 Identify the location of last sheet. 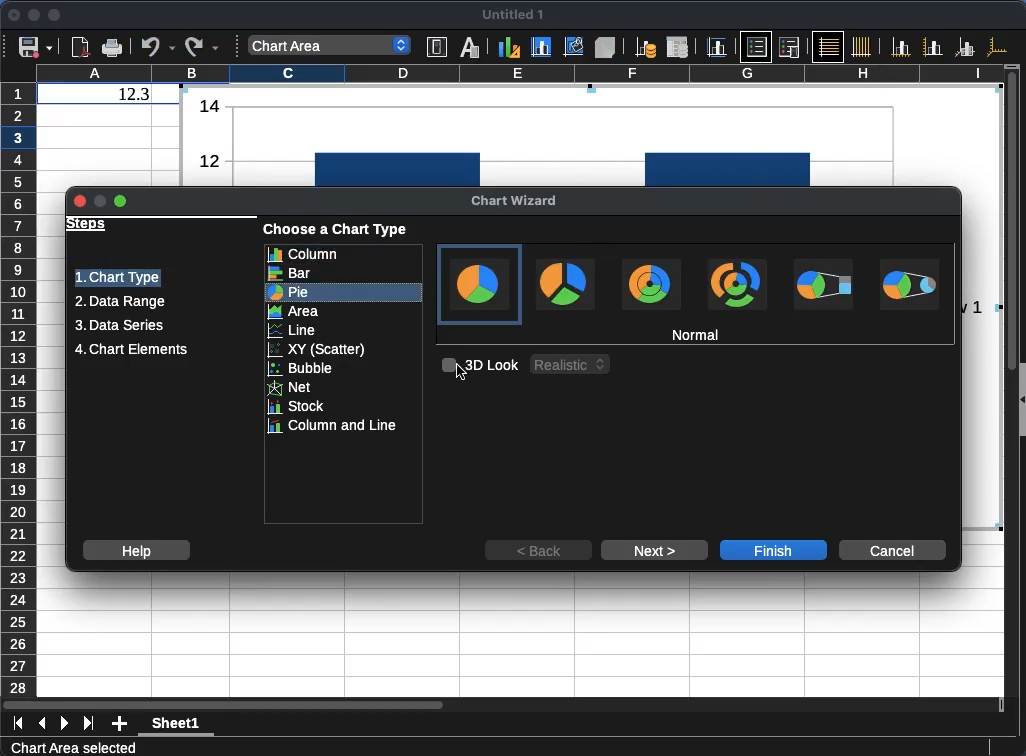
(88, 724).